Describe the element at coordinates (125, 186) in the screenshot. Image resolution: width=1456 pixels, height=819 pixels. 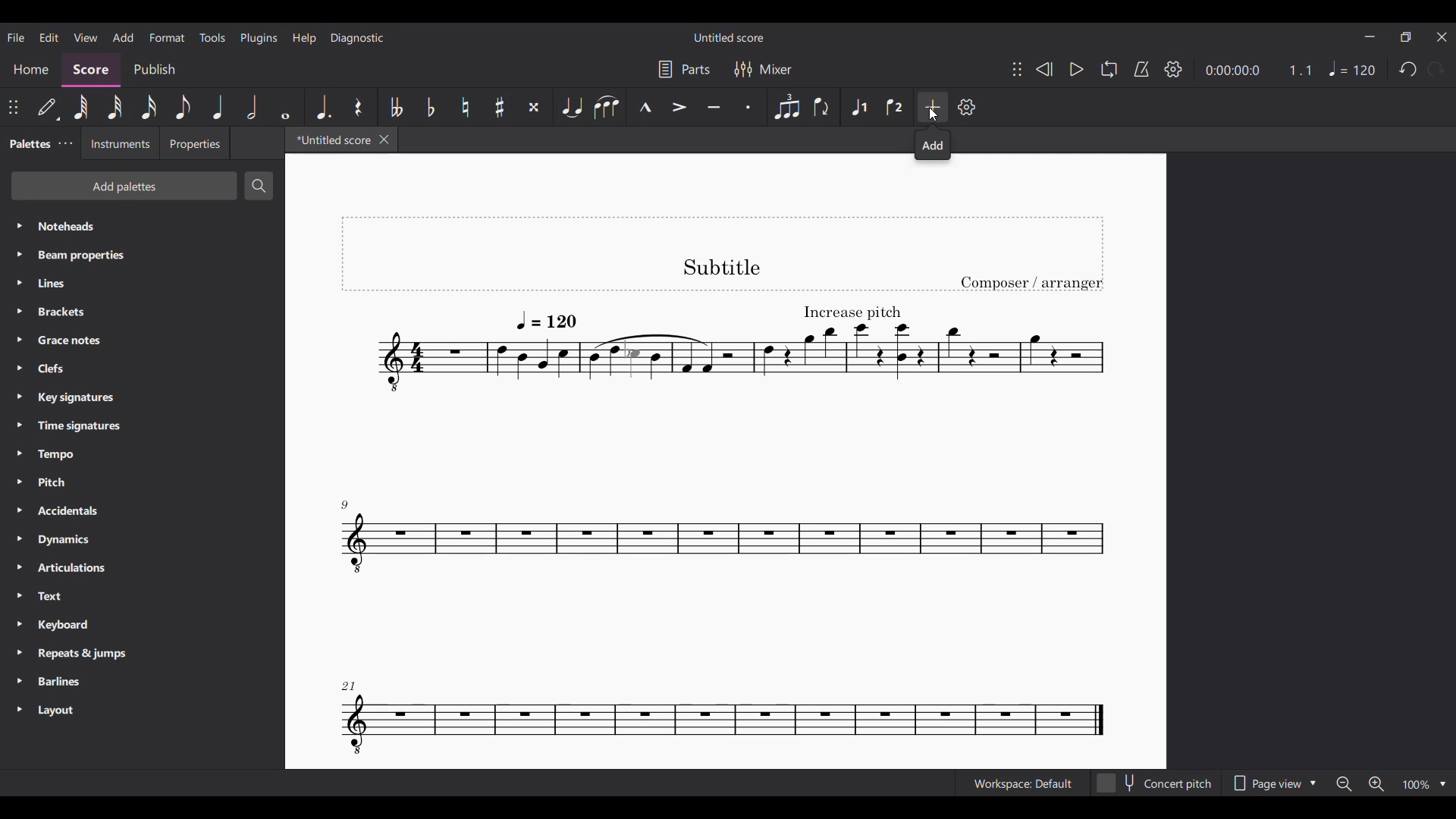
I see `Add palettes` at that location.